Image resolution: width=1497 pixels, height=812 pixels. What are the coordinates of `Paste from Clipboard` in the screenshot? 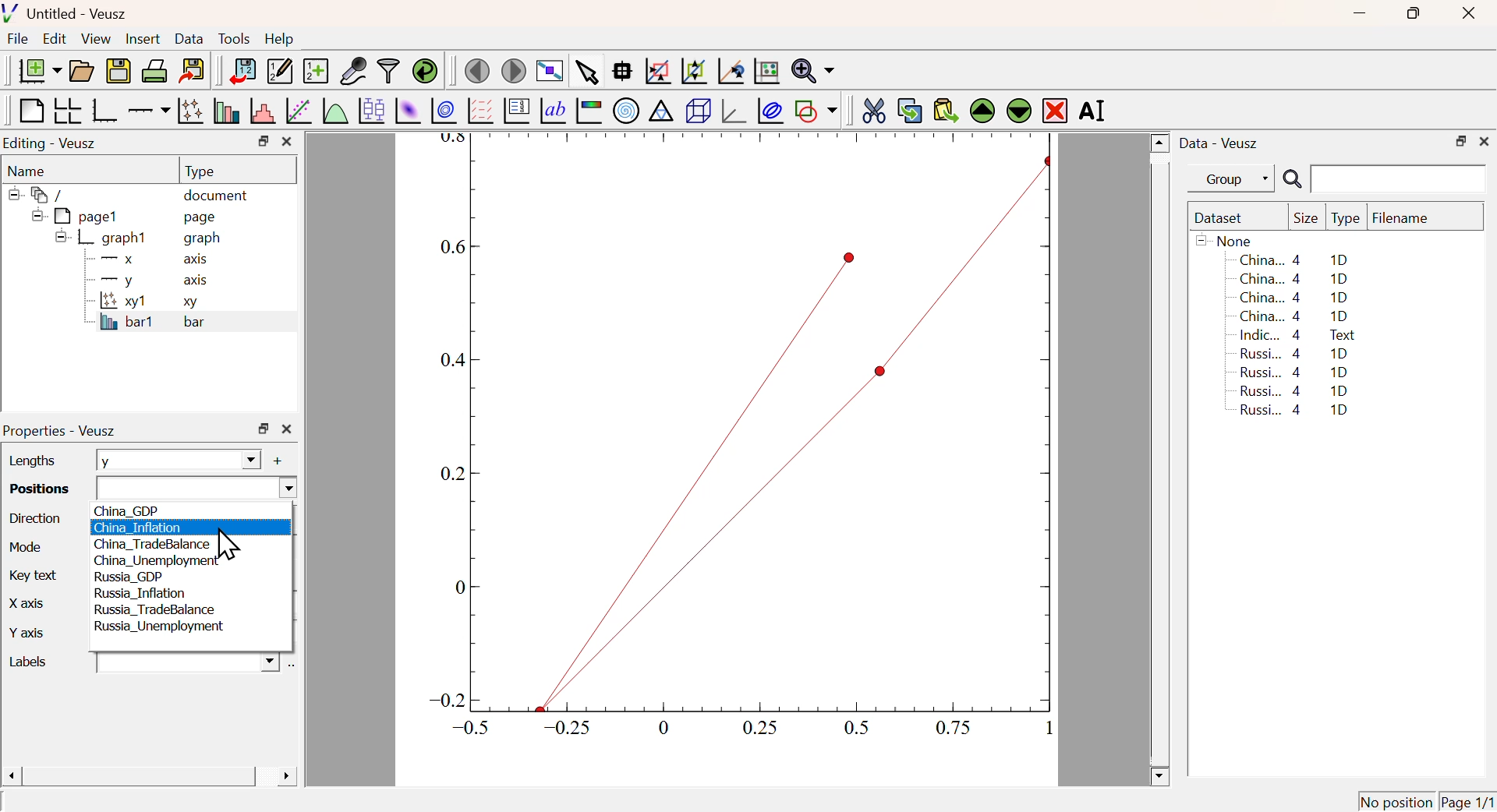 It's located at (946, 110).